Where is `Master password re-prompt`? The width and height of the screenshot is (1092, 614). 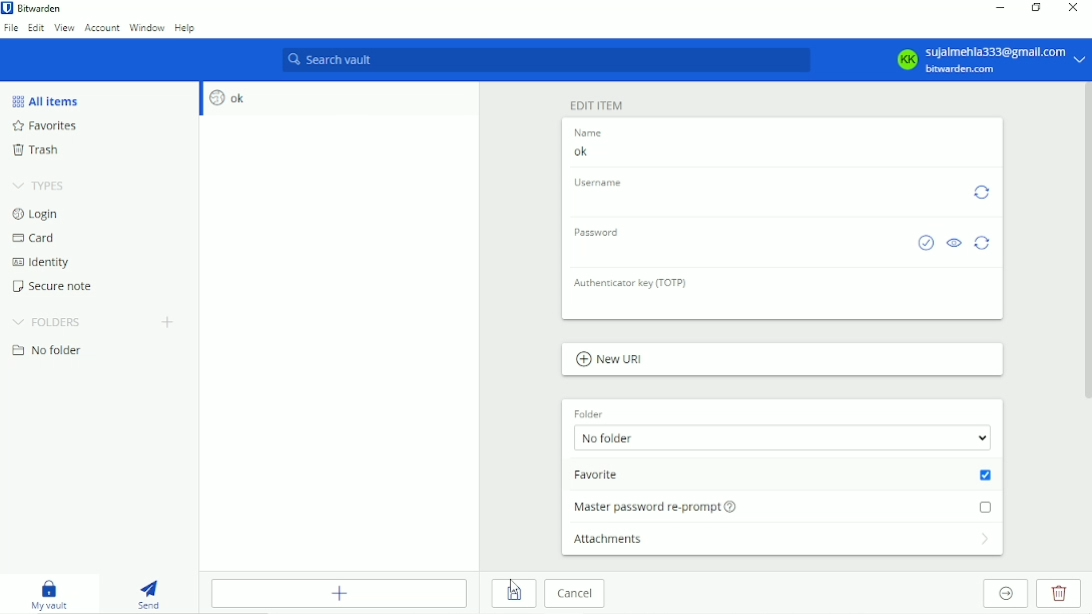
Master password re-prompt is located at coordinates (783, 505).